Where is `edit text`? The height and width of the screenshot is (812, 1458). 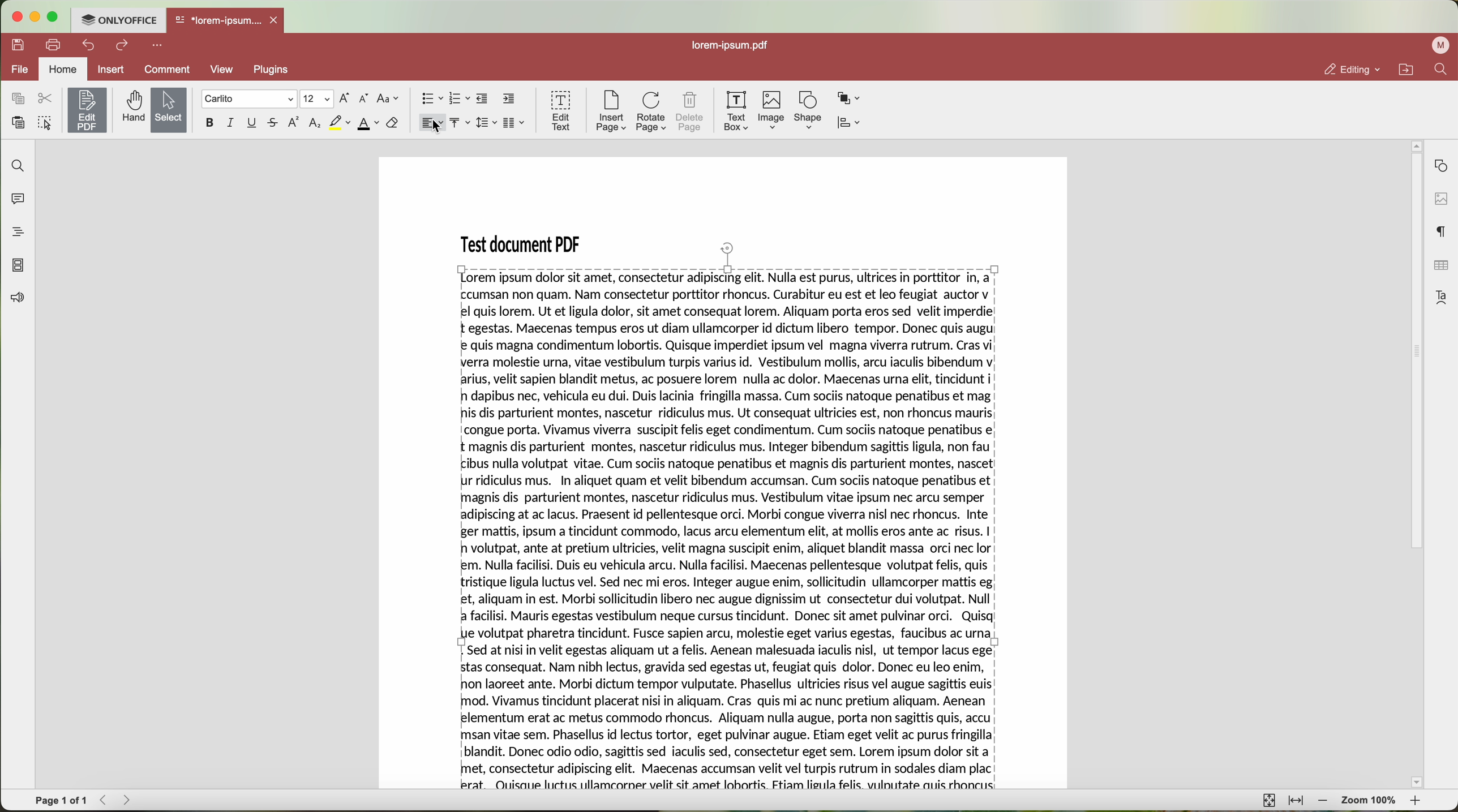 edit text is located at coordinates (561, 111).